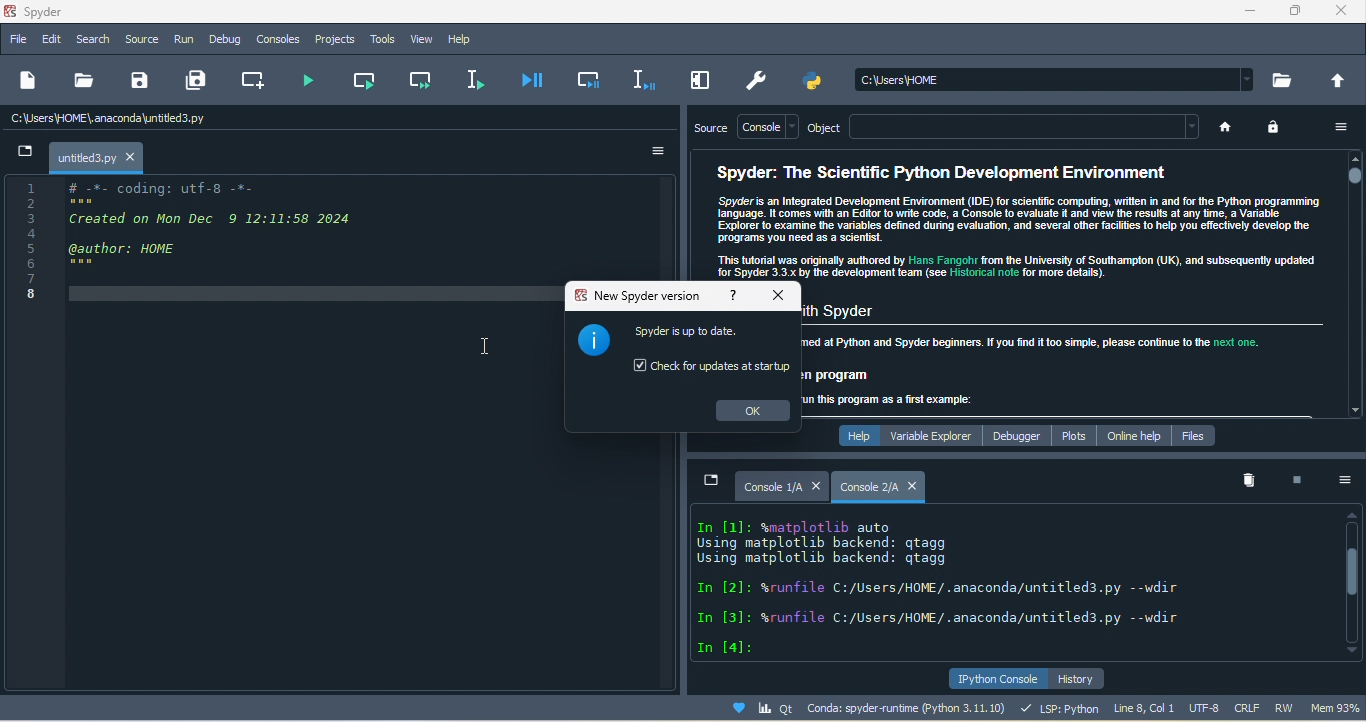 Image resolution: width=1366 pixels, height=722 pixels. I want to click on projects, so click(338, 39).